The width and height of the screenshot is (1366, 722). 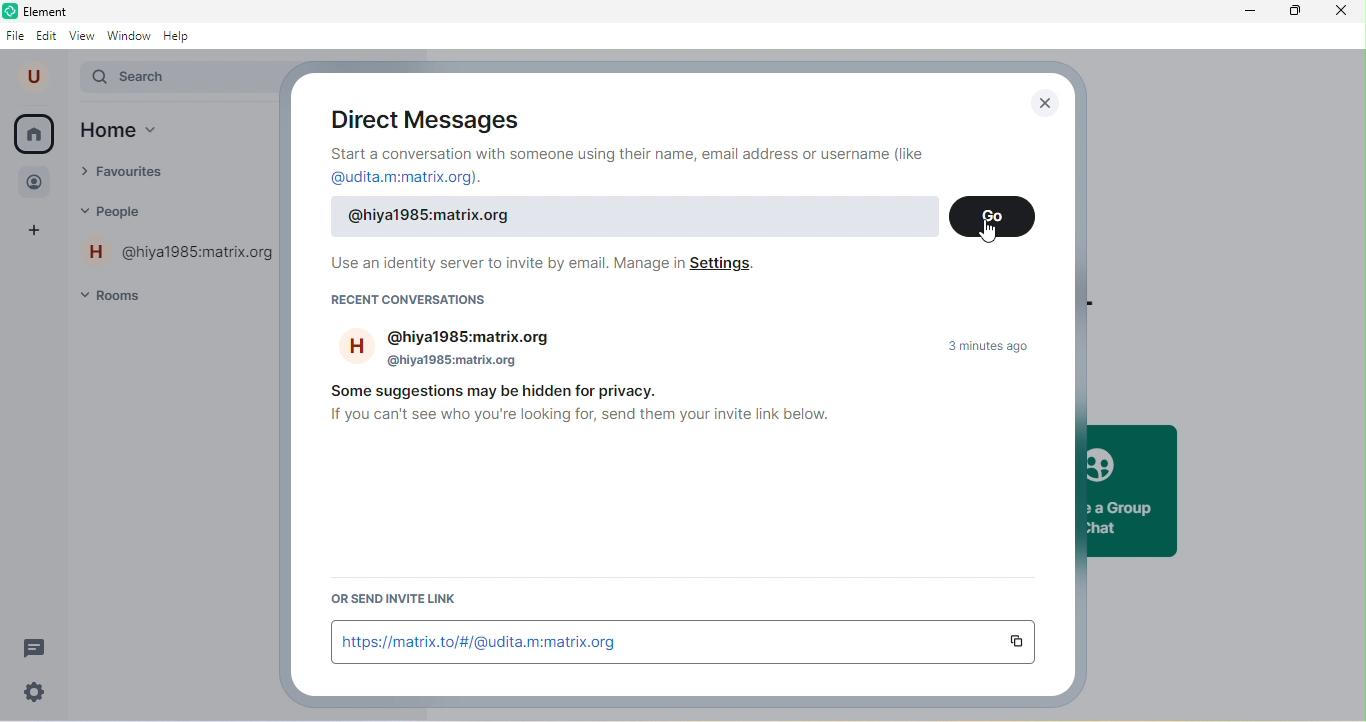 I want to click on home, so click(x=34, y=134).